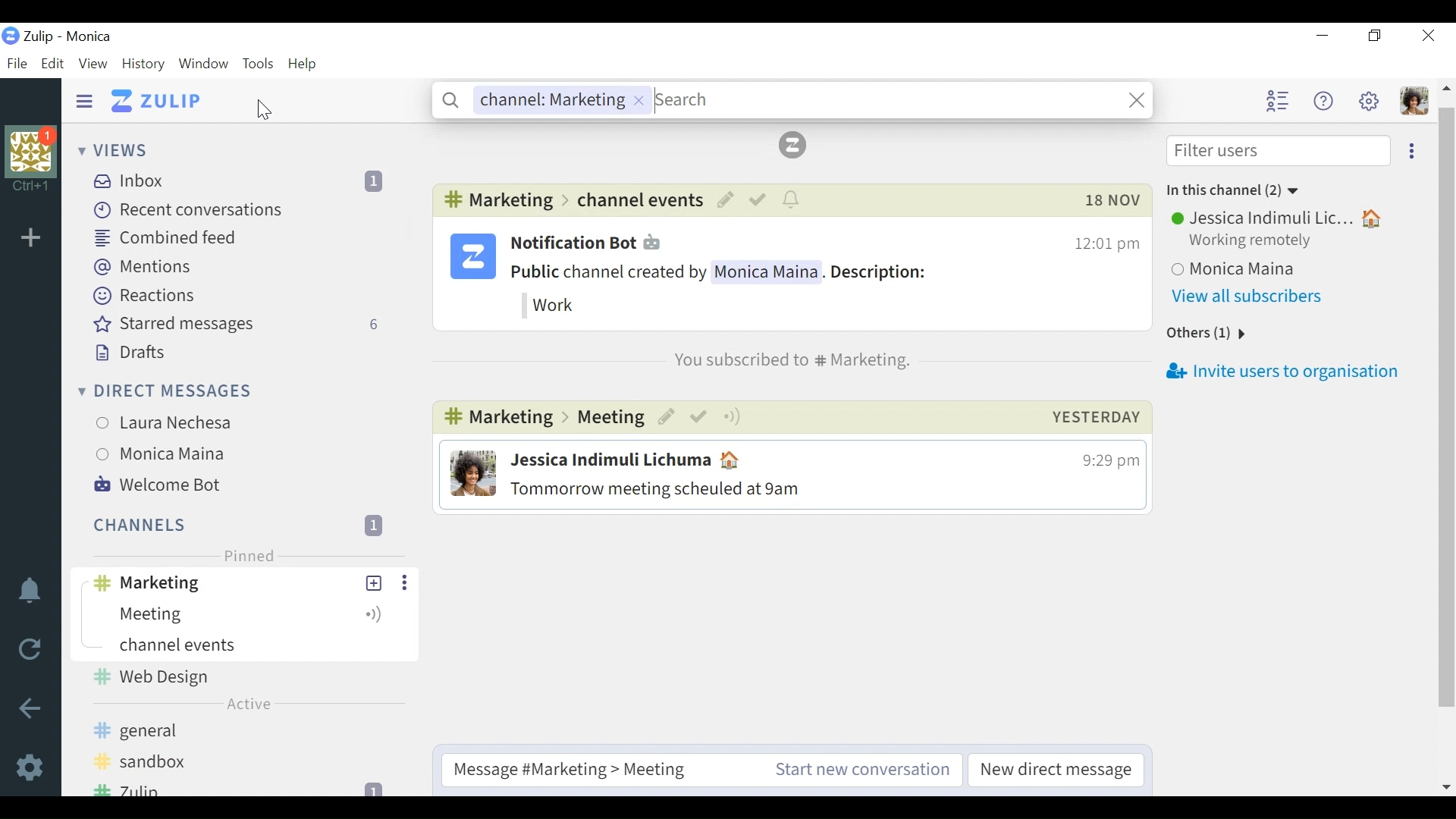 The width and height of the screenshot is (1456, 819). What do you see at coordinates (1114, 200) in the screenshot?
I see `Date` at bounding box center [1114, 200].